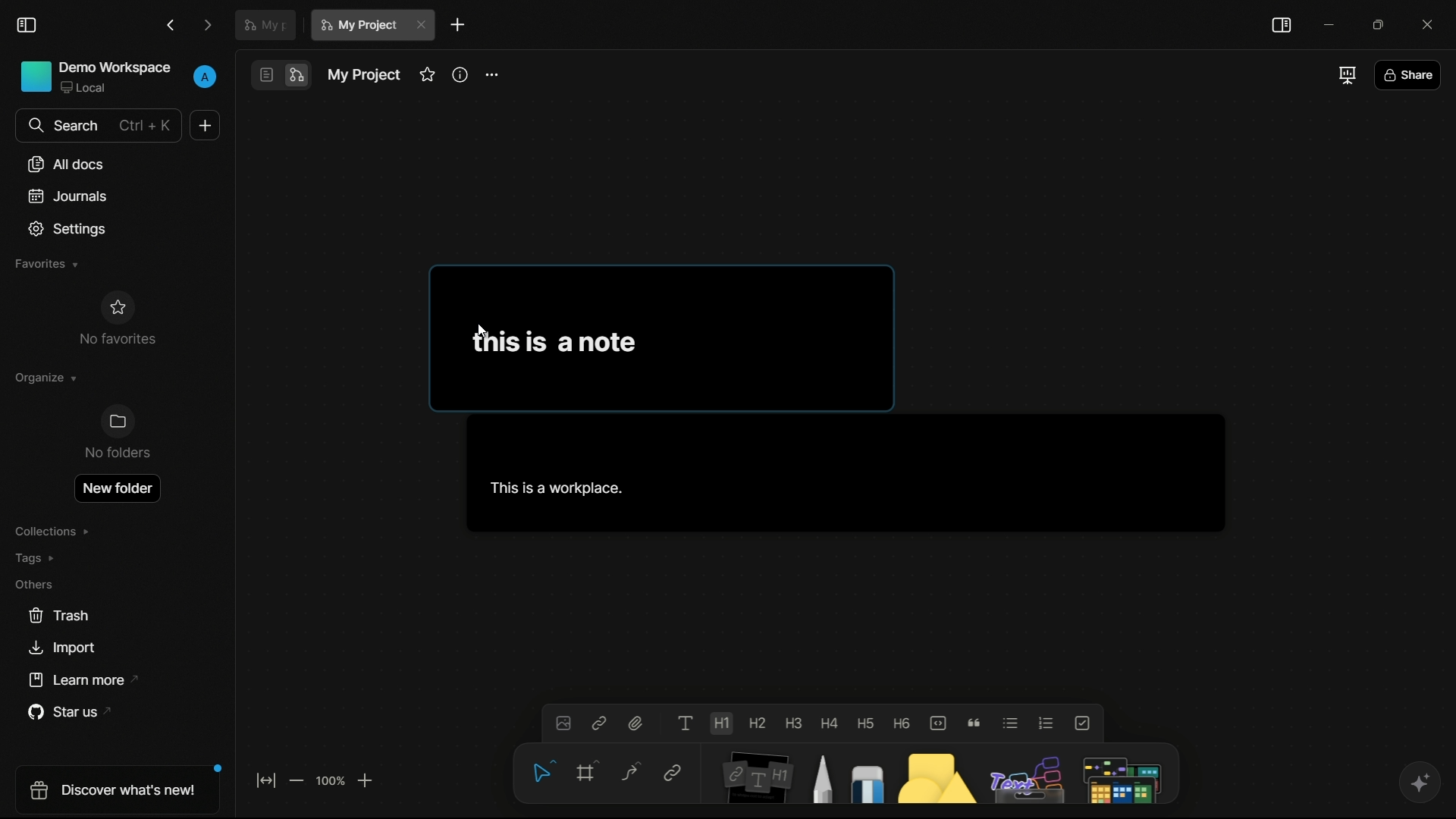  Describe the element at coordinates (37, 584) in the screenshot. I see `others` at that location.